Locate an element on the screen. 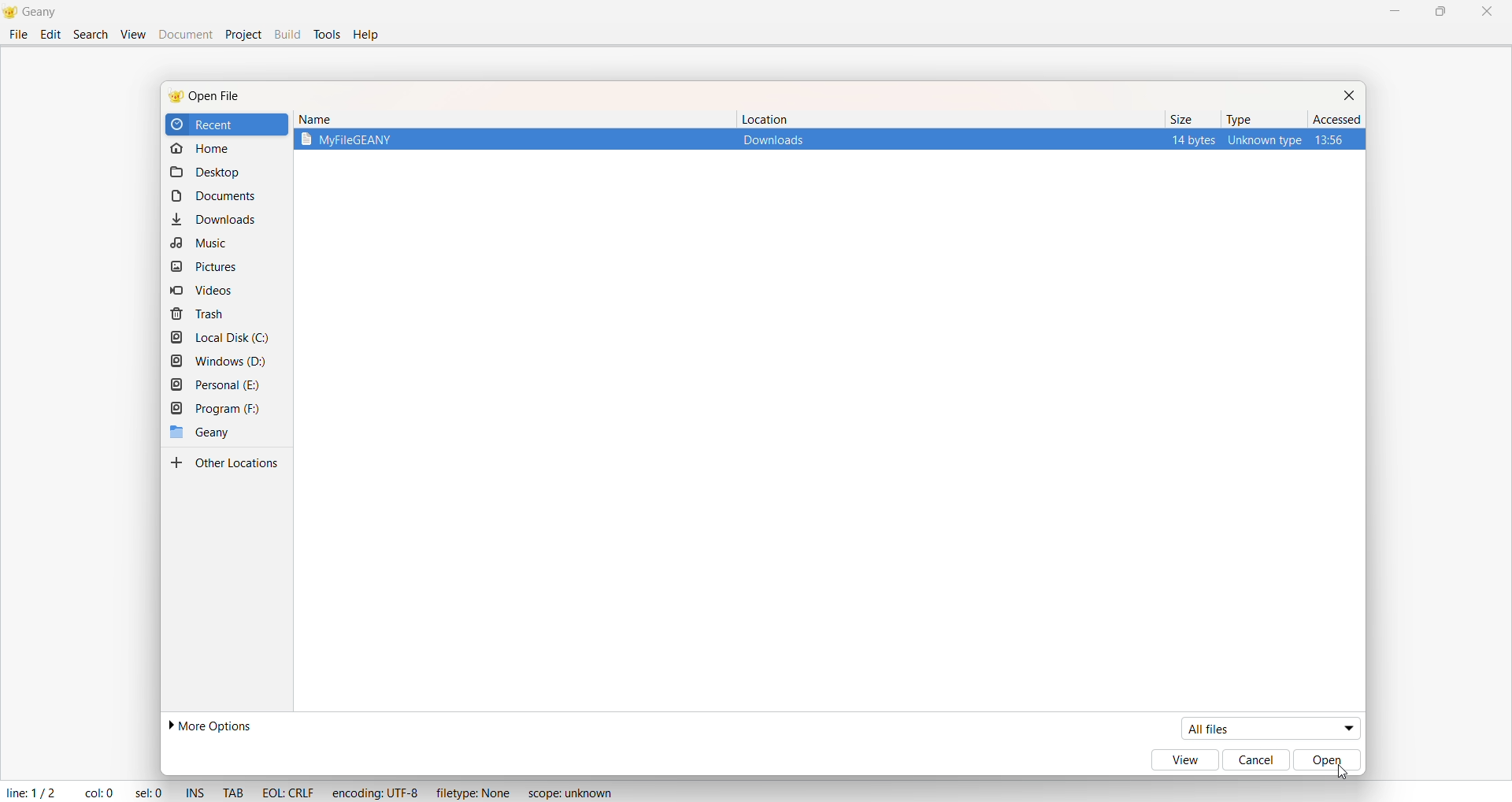  Close is located at coordinates (1487, 12).